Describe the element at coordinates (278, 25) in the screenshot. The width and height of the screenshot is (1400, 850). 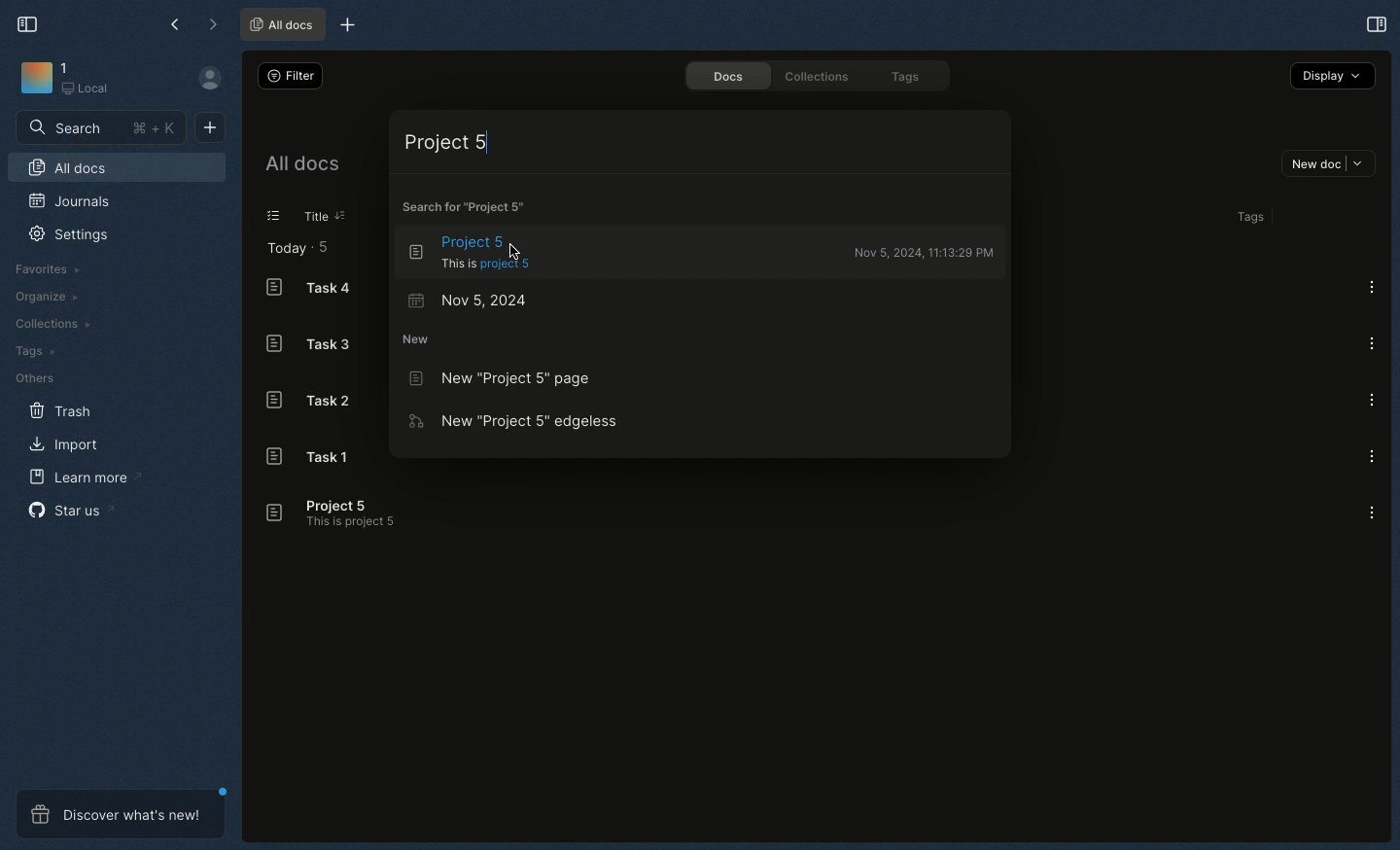
I see `All docs` at that location.